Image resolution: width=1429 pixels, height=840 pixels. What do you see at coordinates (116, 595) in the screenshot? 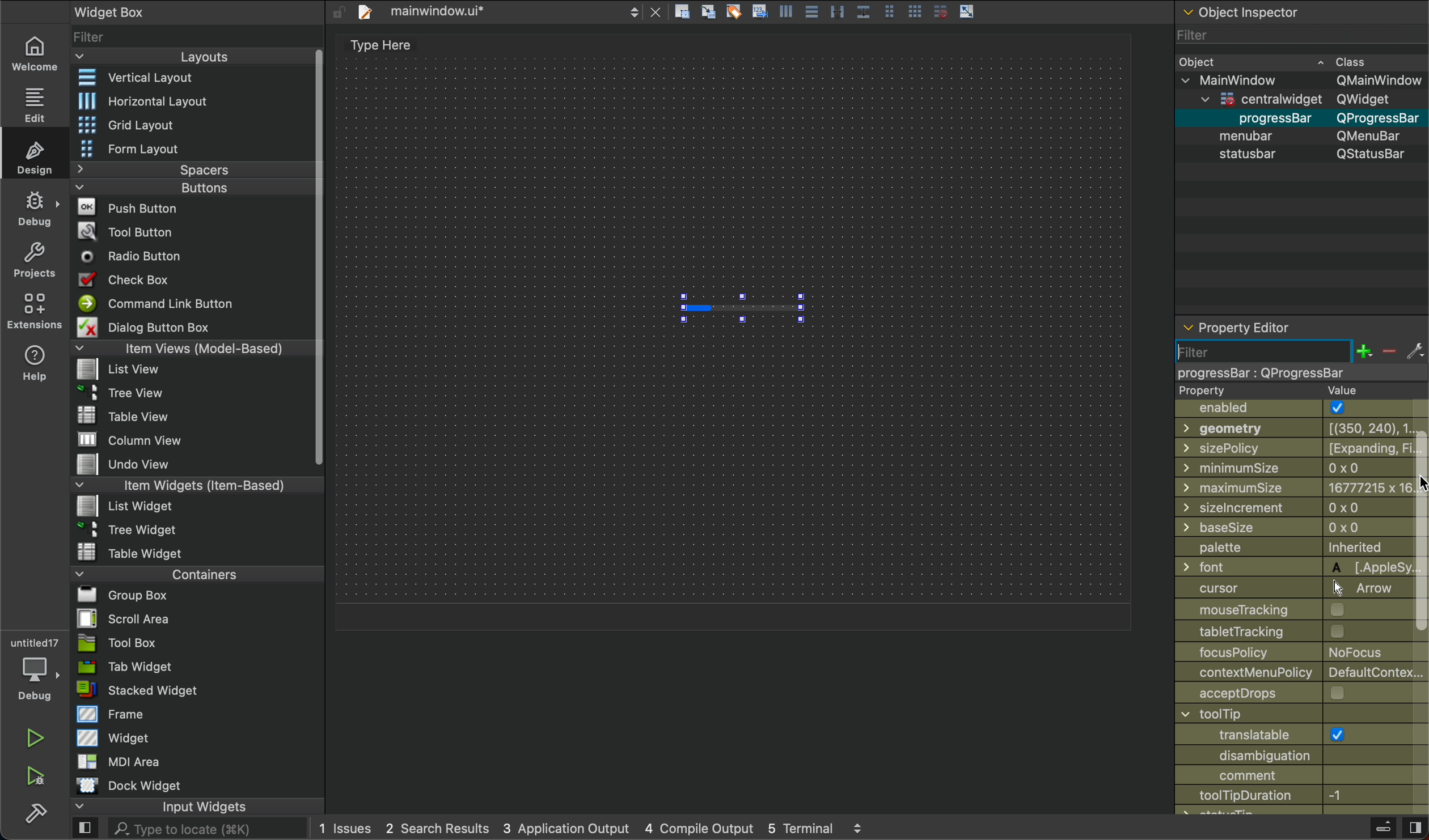
I see `File` at bounding box center [116, 595].